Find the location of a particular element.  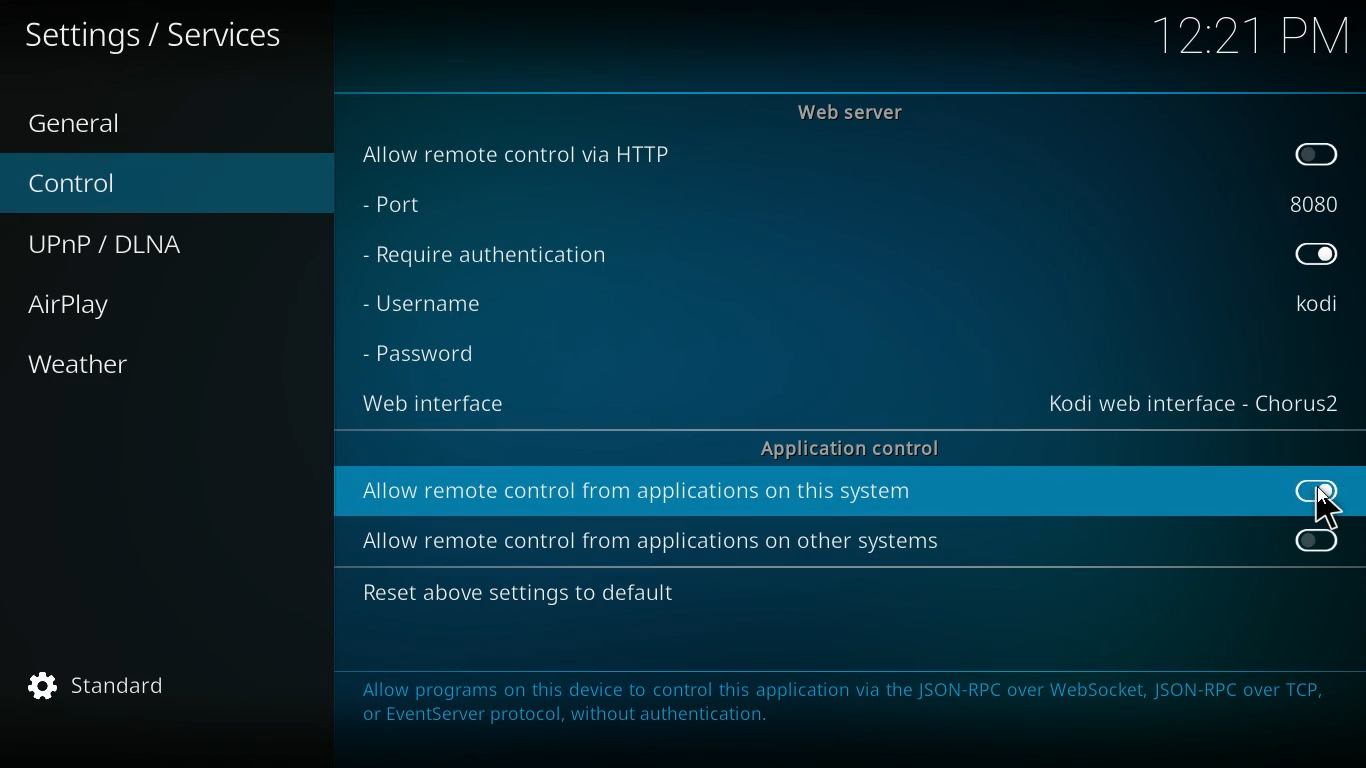

reset is located at coordinates (517, 595).